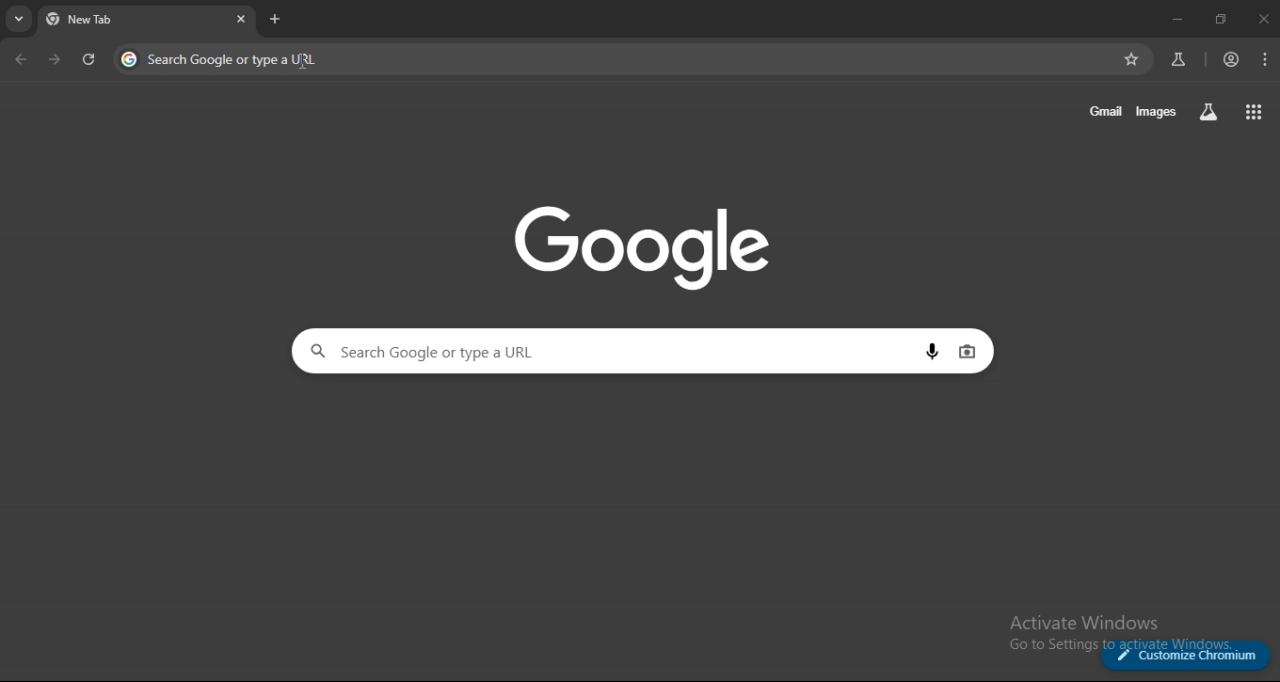 This screenshot has width=1280, height=682. I want to click on search google or type a URL, so click(612, 351).